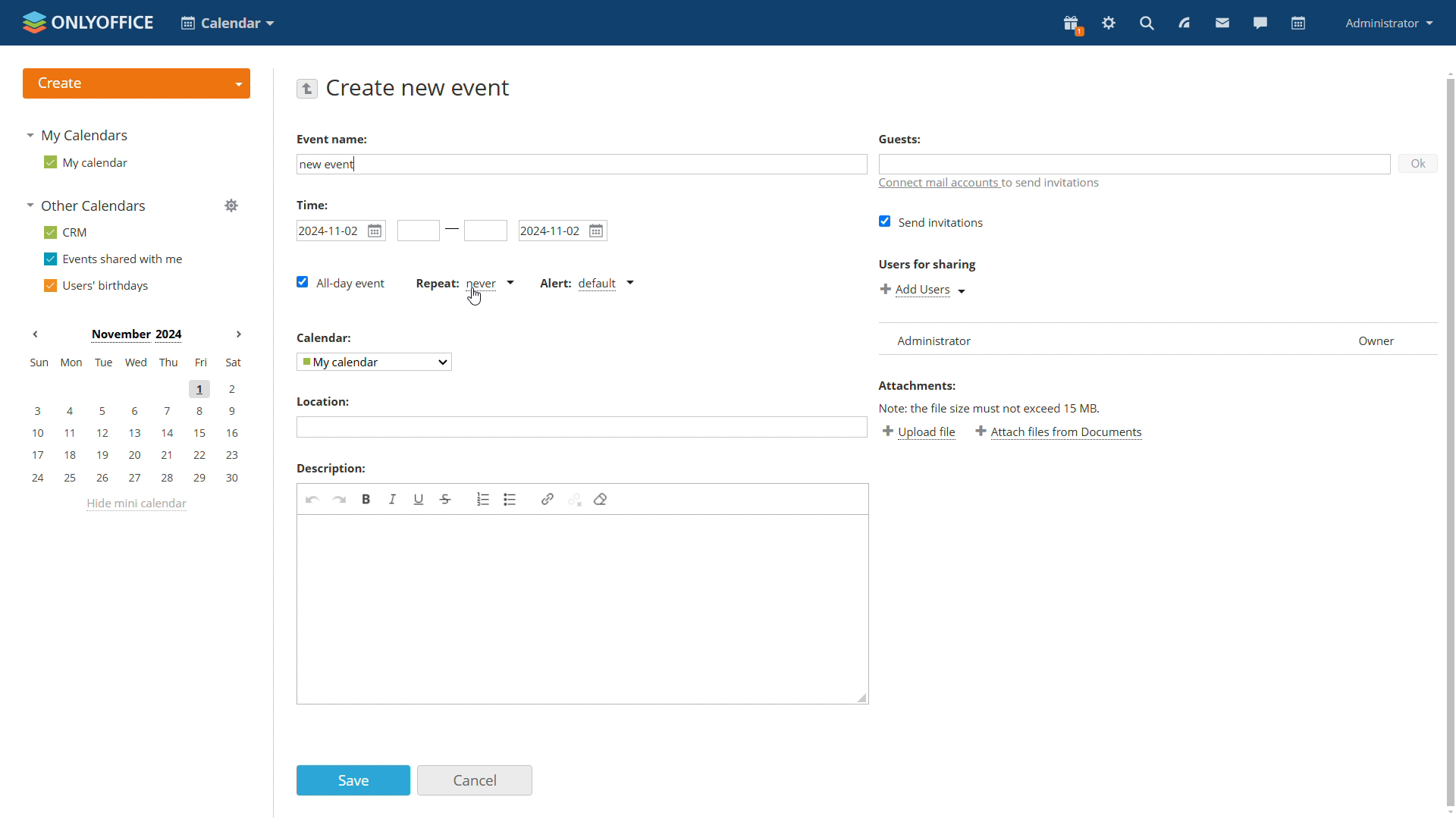 Image resolution: width=1456 pixels, height=819 pixels. What do you see at coordinates (476, 780) in the screenshot?
I see `cancel` at bounding box center [476, 780].